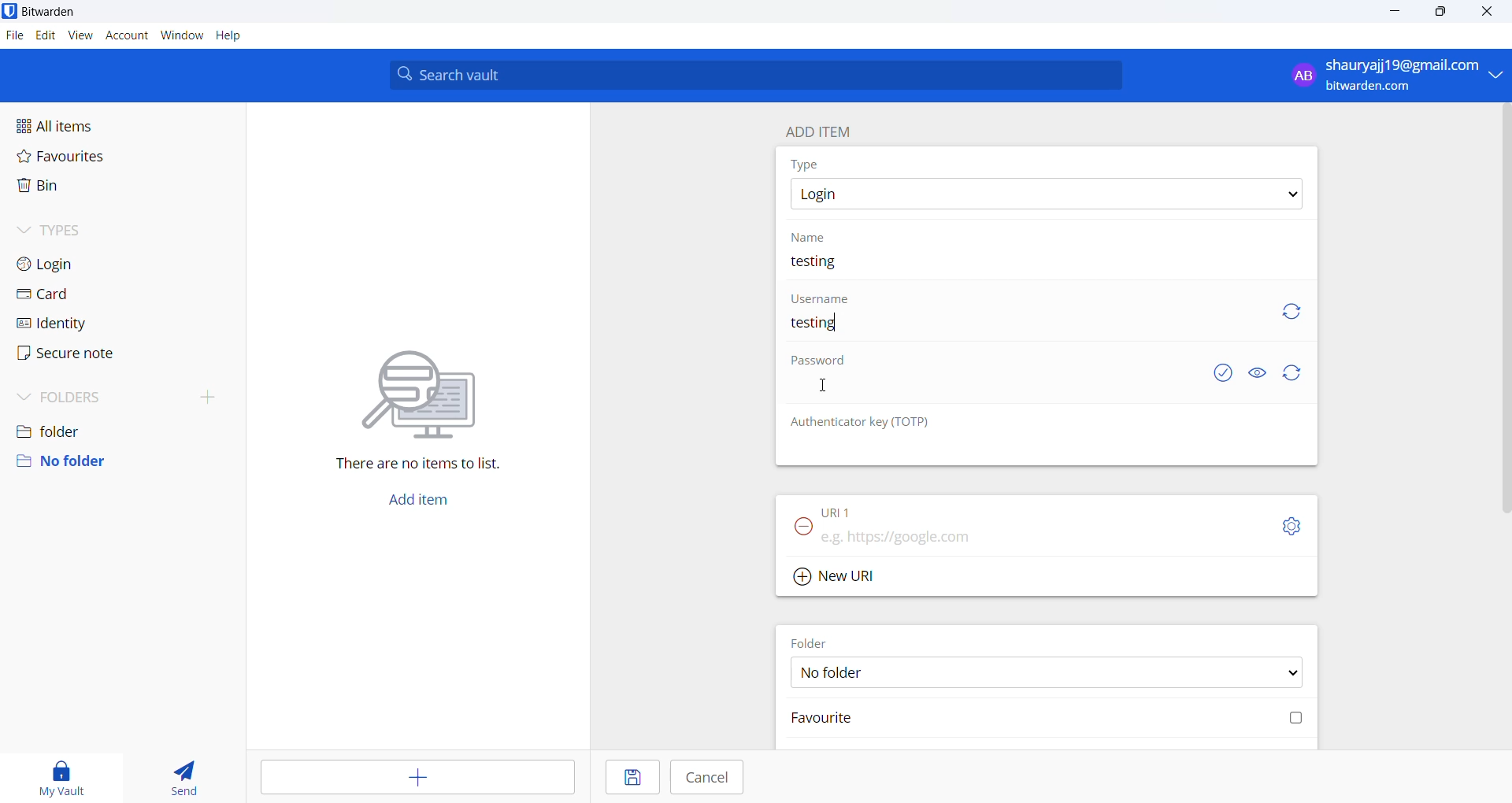  Describe the element at coordinates (125, 36) in the screenshot. I see `account` at that location.